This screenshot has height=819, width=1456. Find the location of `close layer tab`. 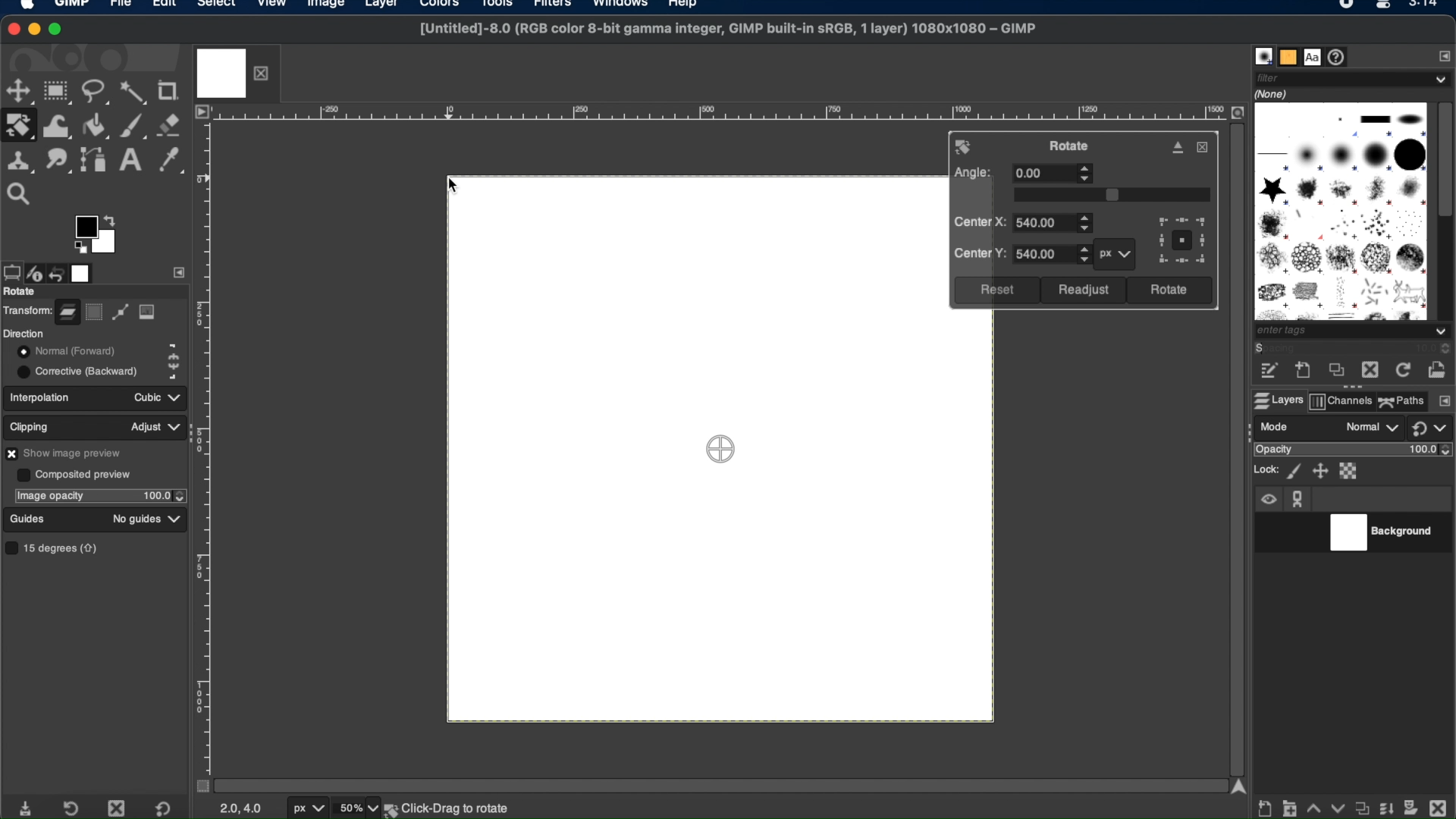

close layer tab is located at coordinates (265, 72).